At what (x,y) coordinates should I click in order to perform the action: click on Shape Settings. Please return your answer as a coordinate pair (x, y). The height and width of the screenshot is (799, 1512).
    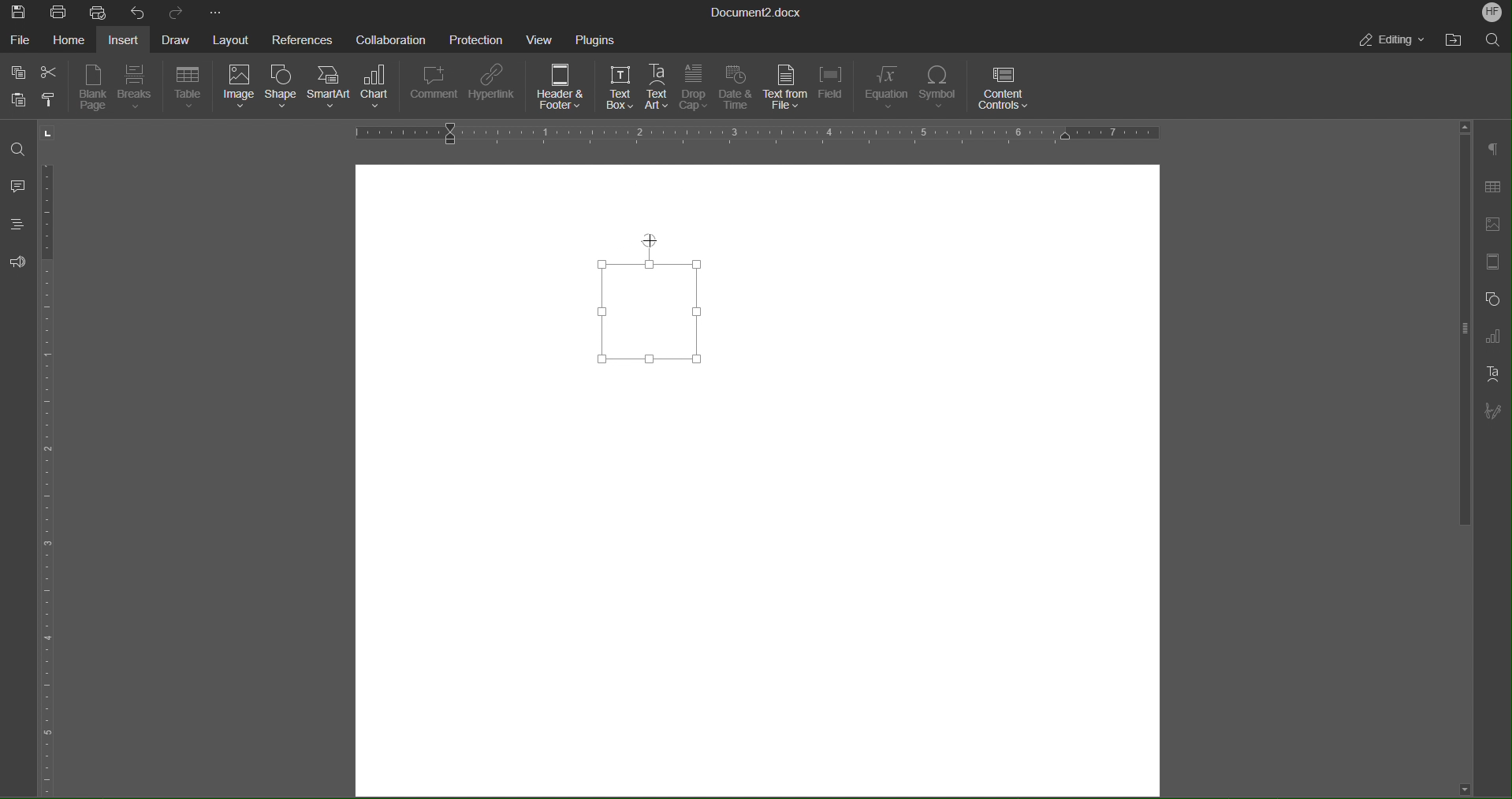
    Looking at the image, I should click on (1490, 298).